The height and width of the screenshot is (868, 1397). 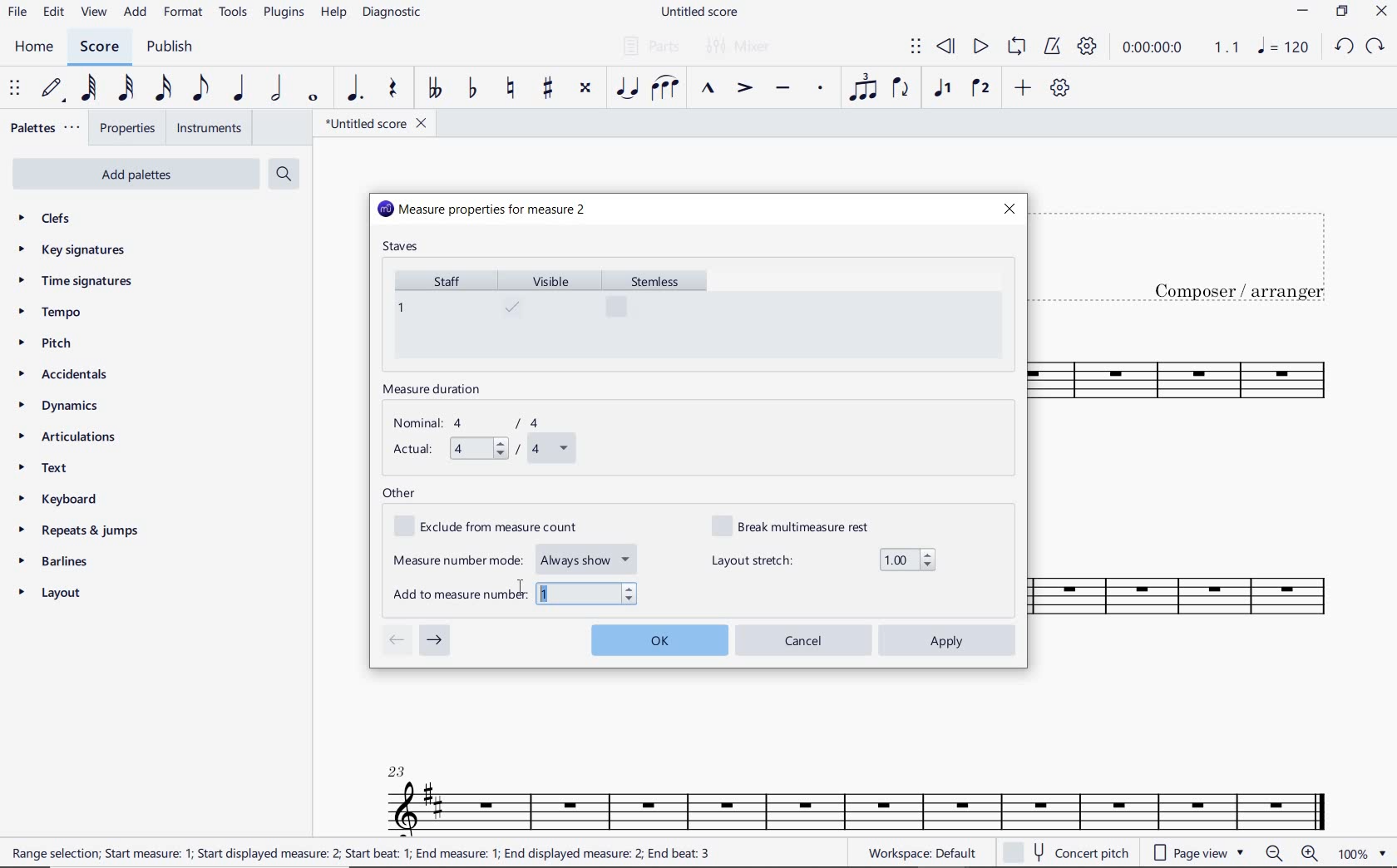 What do you see at coordinates (665, 90) in the screenshot?
I see `SLUR` at bounding box center [665, 90].